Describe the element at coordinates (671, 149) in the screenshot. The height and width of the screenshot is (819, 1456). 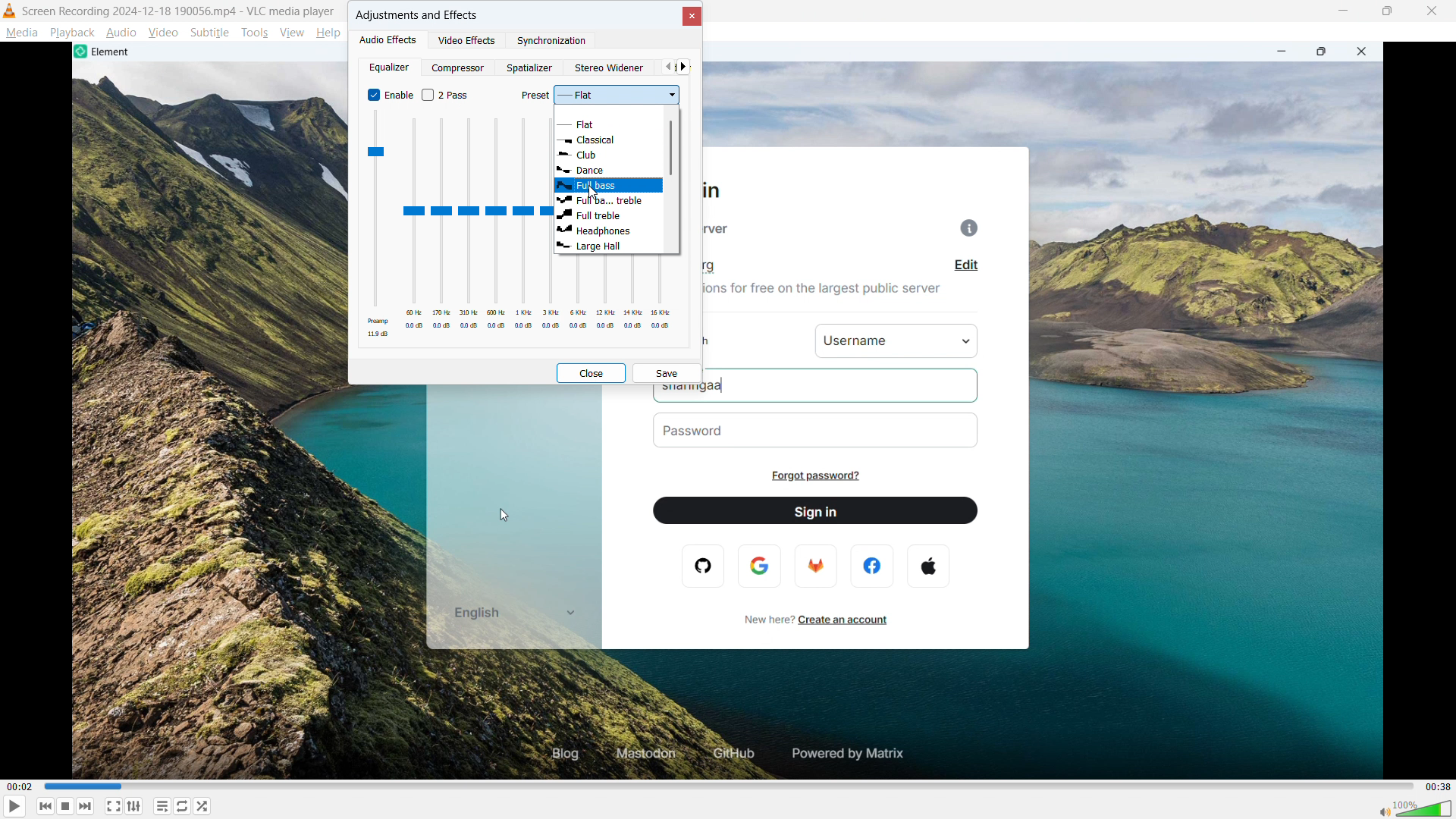
I see `Vertical scroll bar ` at that location.